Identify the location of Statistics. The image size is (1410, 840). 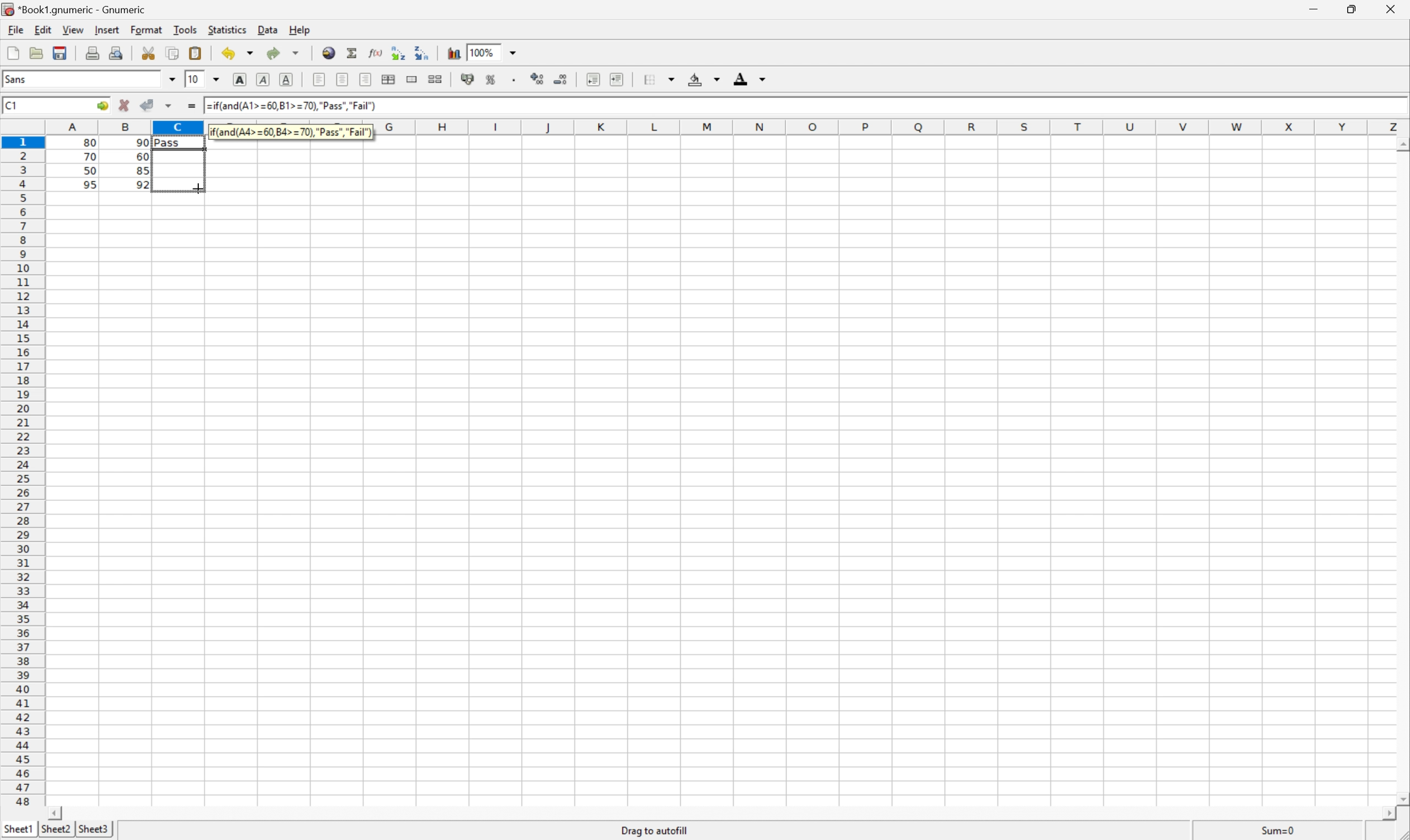
(229, 31).